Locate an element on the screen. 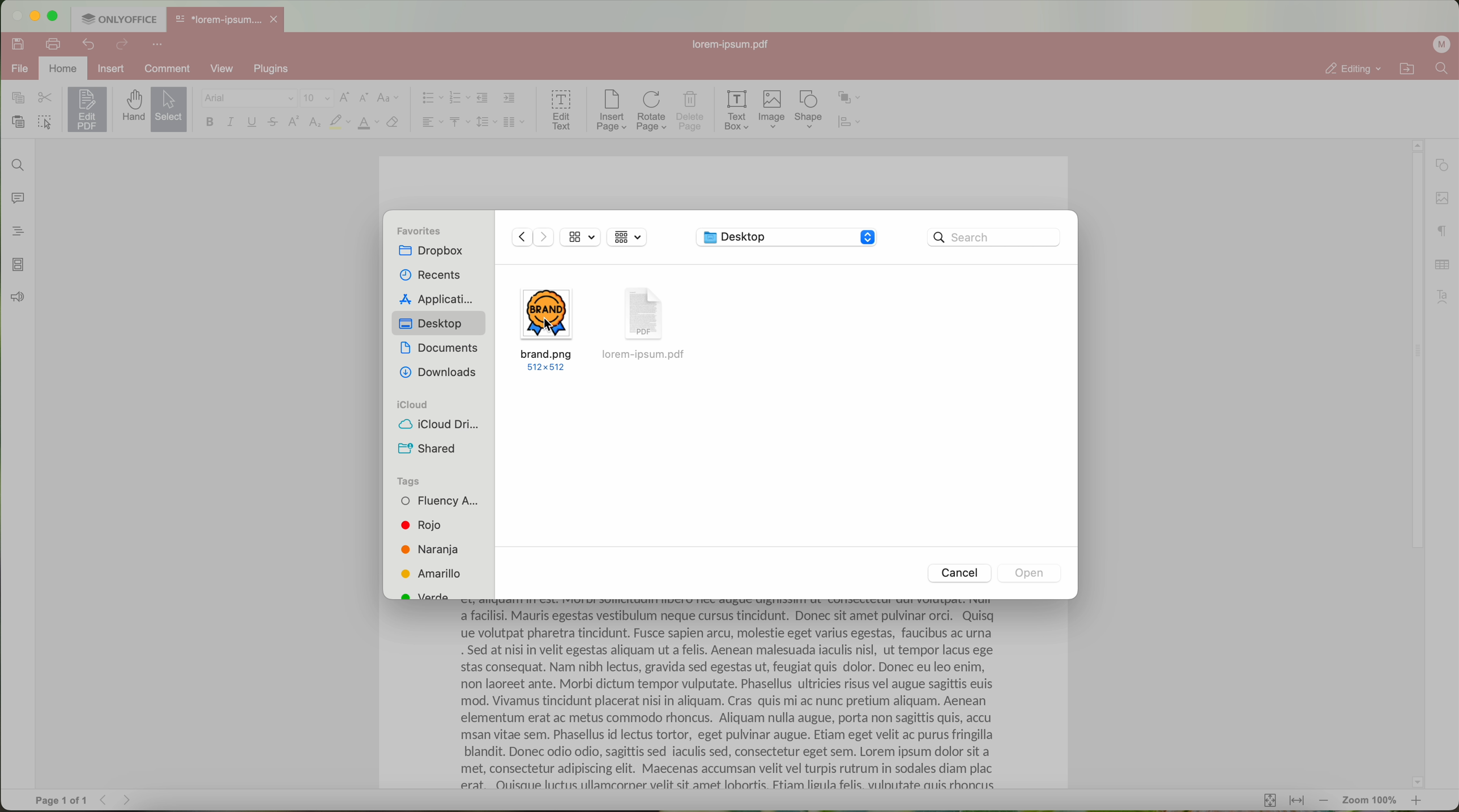  insert page is located at coordinates (611, 110).